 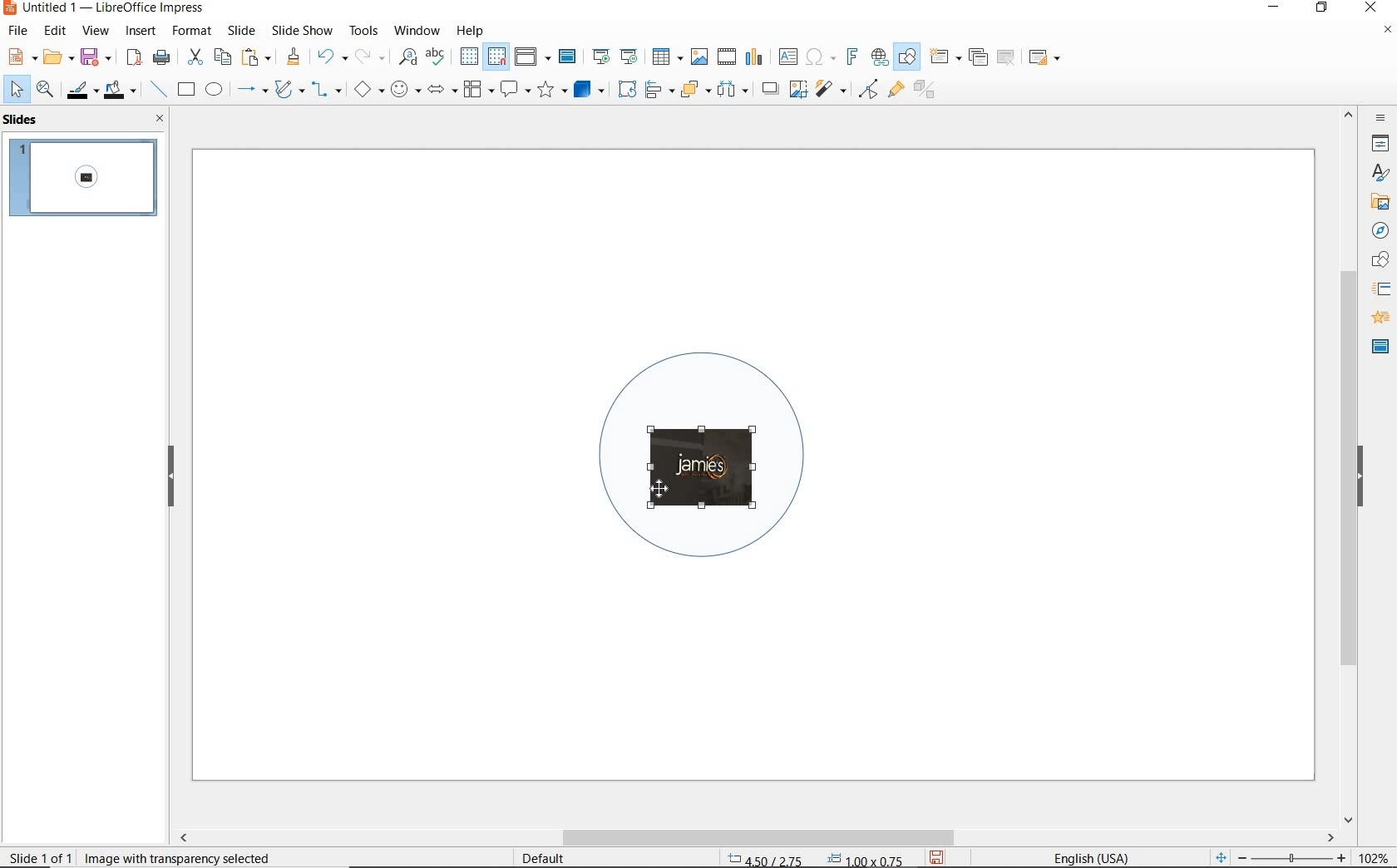 What do you see at coordinates (713, 457) in the screenshot?
I see `image cropped within the circle` at bounding box center [713, 457].